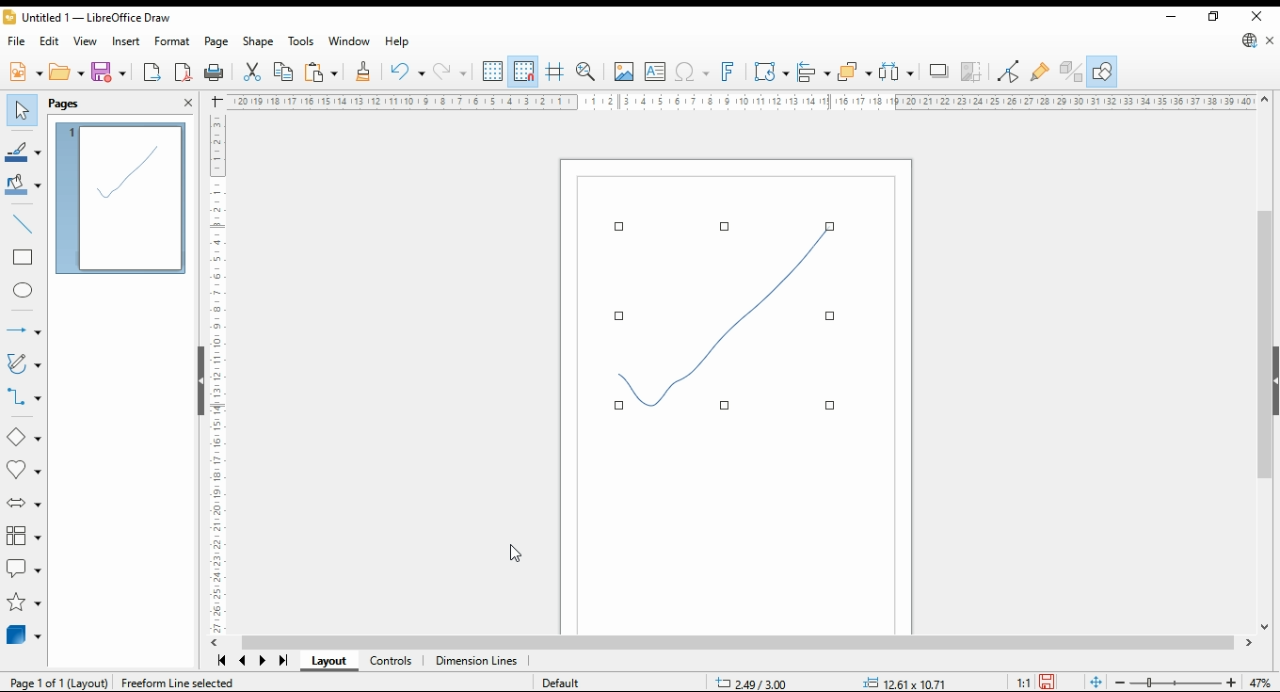  I want to click on page 1, so click(122, 198).